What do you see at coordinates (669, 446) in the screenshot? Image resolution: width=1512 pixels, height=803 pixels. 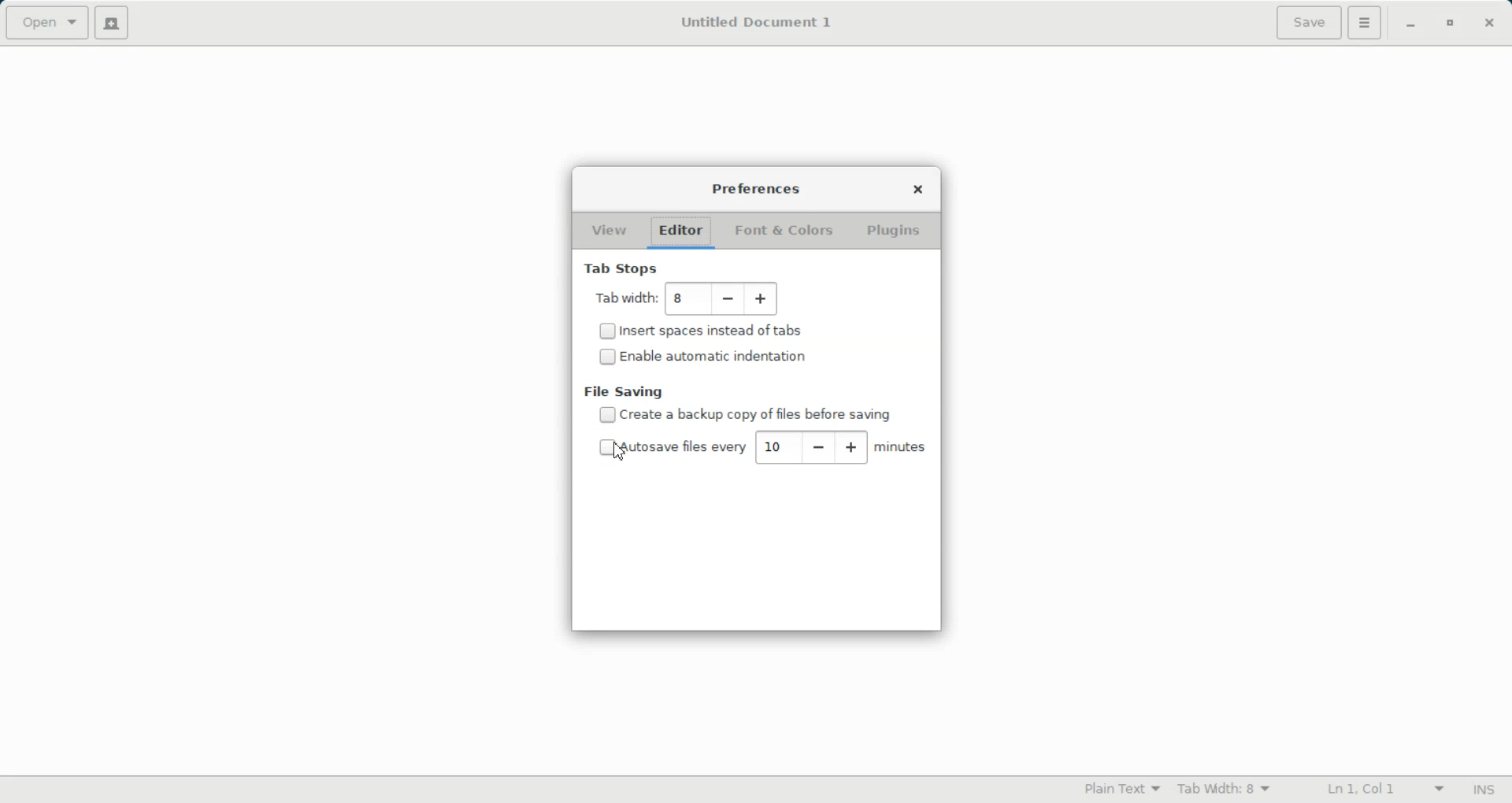 I see `(un)check Disable autosave file every 10 minutes set` at bounding box center [669, 446].